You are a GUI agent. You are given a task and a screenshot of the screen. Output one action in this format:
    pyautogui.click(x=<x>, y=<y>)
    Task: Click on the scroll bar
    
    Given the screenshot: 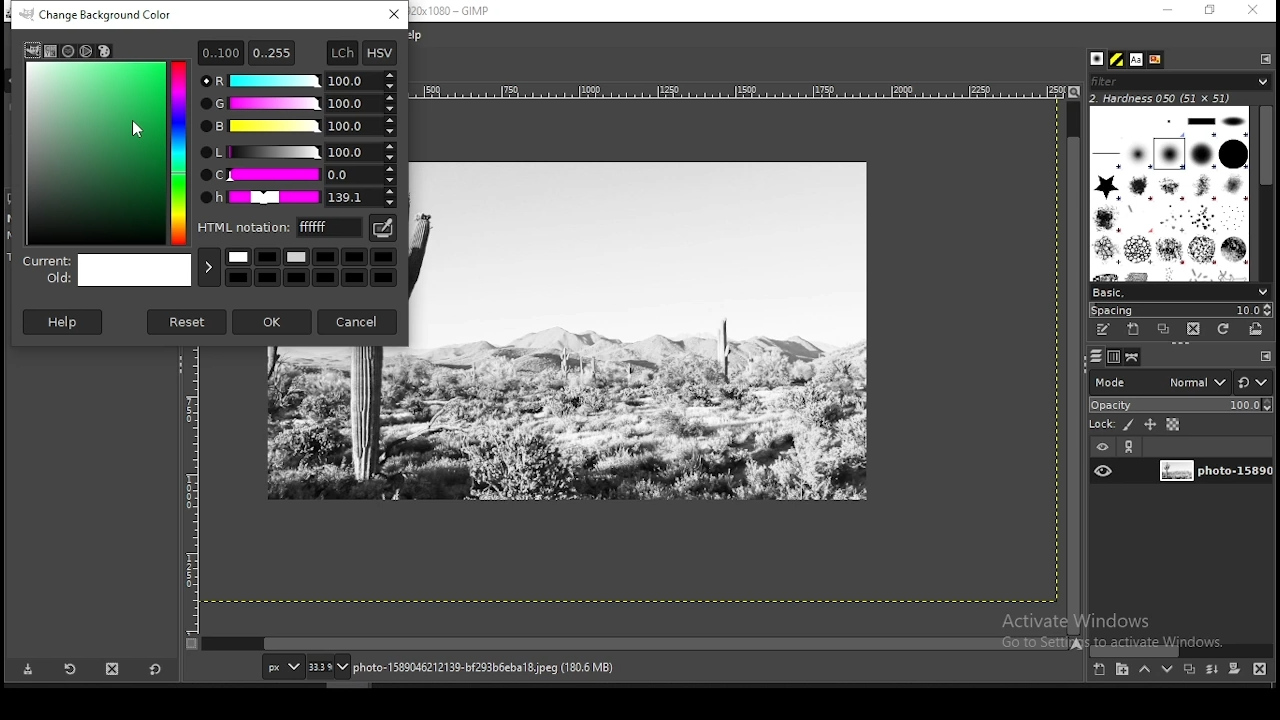 What is the action you would take?
    pyautogui.click(x=1266, y=191)
    